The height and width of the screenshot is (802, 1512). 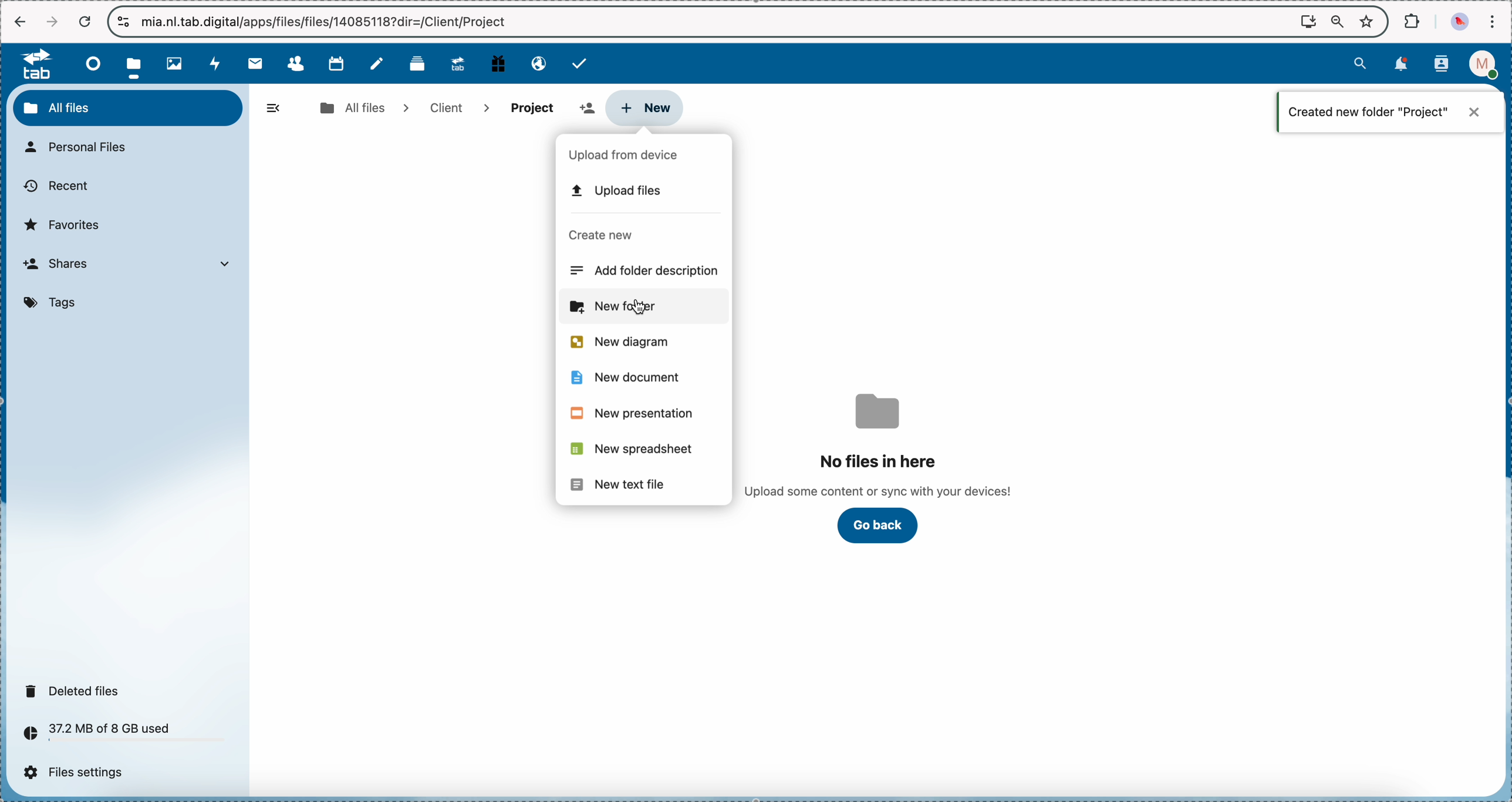 I want to click on controls, so click(x=124, y=22).